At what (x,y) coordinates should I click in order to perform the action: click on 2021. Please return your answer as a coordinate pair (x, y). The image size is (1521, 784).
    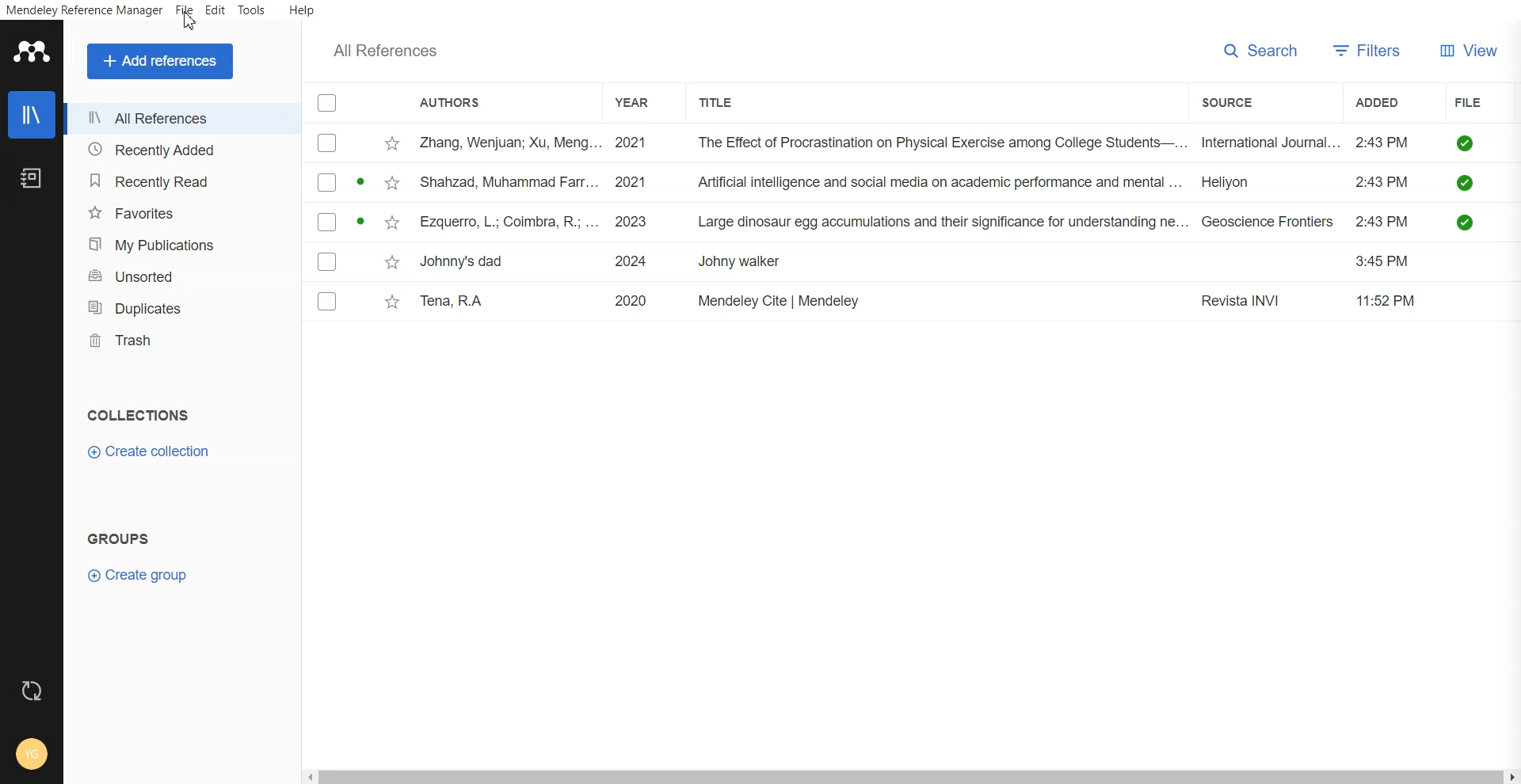
    Looking at the image, I should click on (635, 181).